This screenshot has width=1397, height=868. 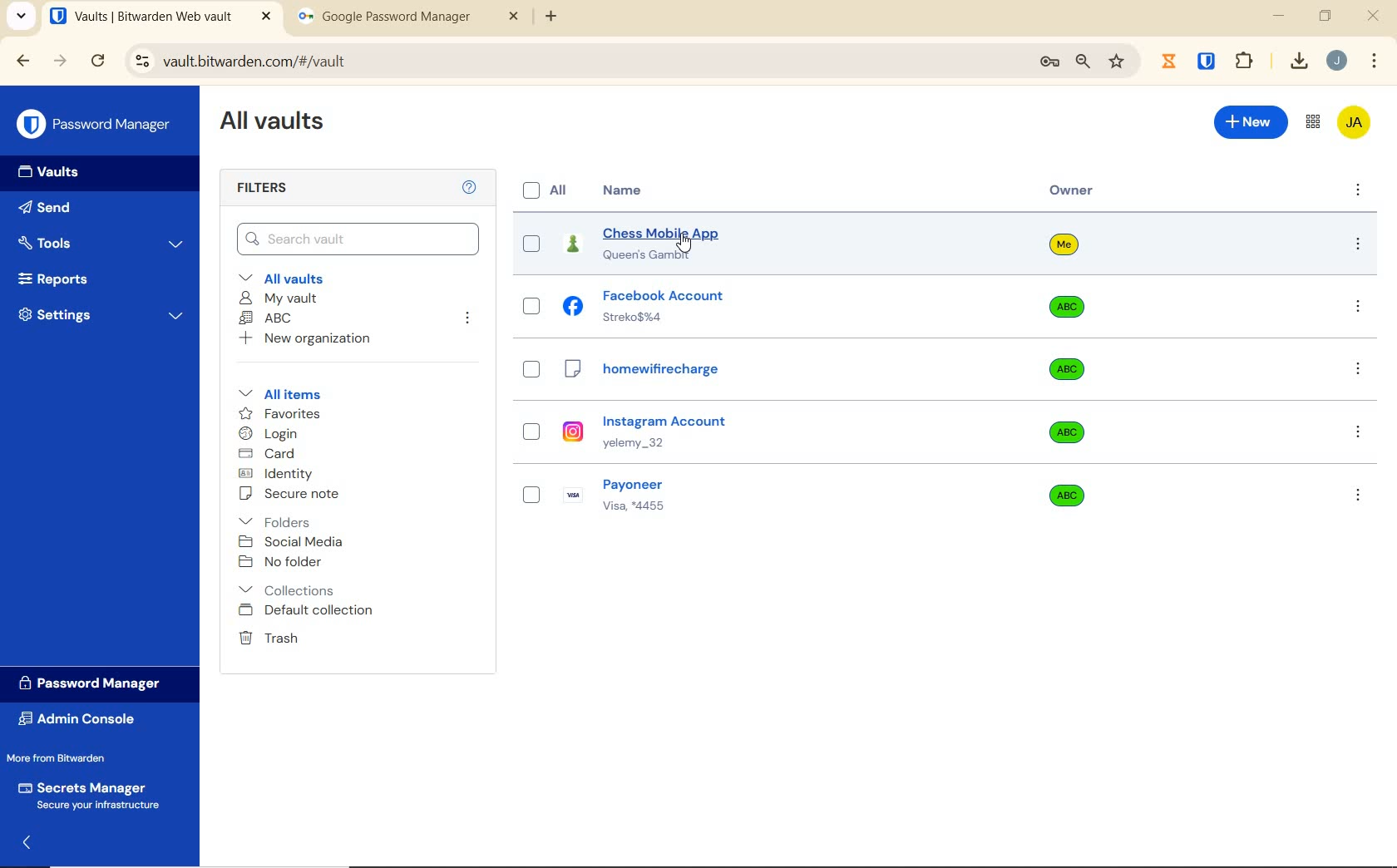 What do you see at coordinates (1064, 249) in the screenshot?
I see `me` at bounding box center [1064, 249].